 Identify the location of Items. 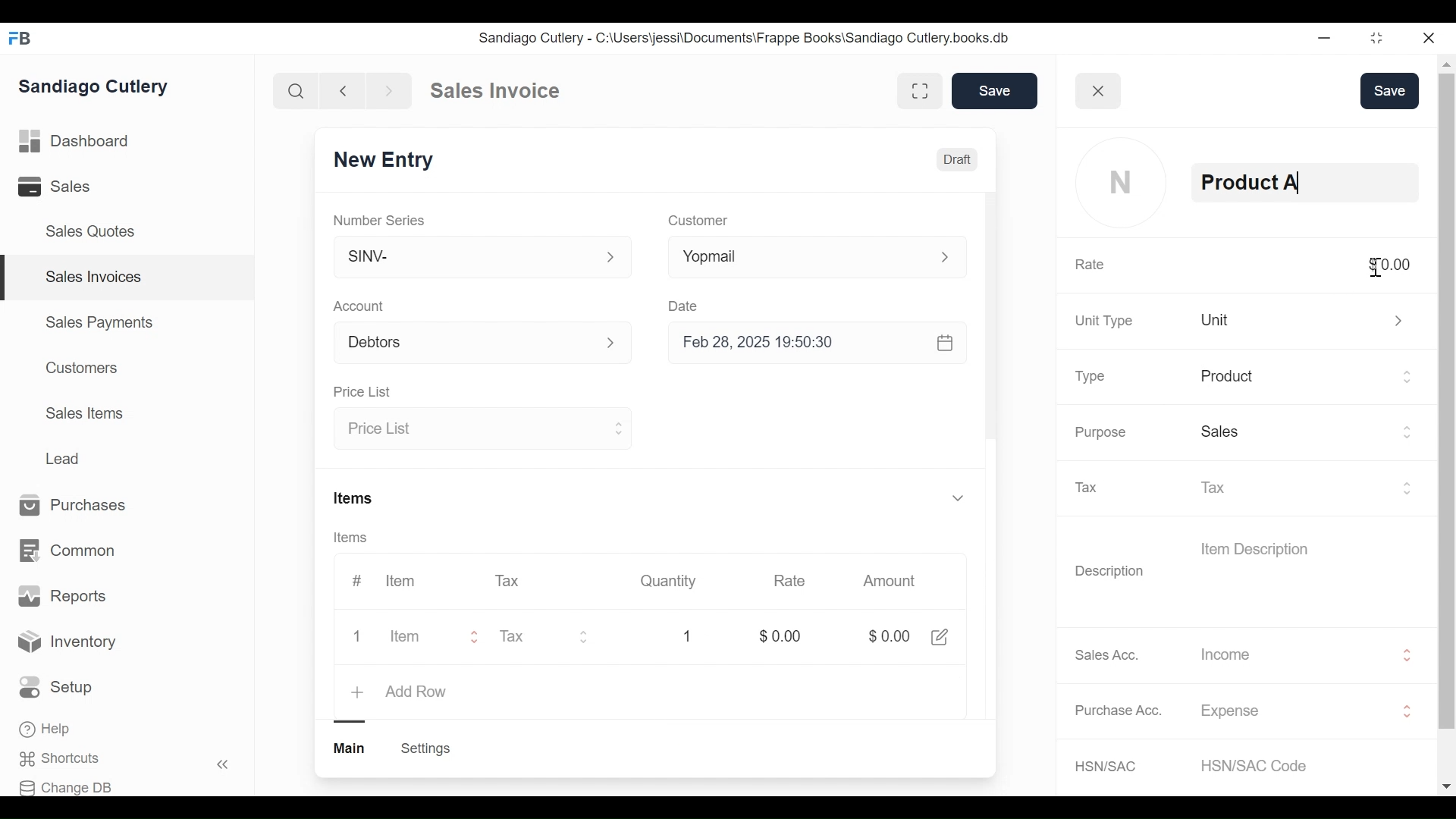
(351, 536).